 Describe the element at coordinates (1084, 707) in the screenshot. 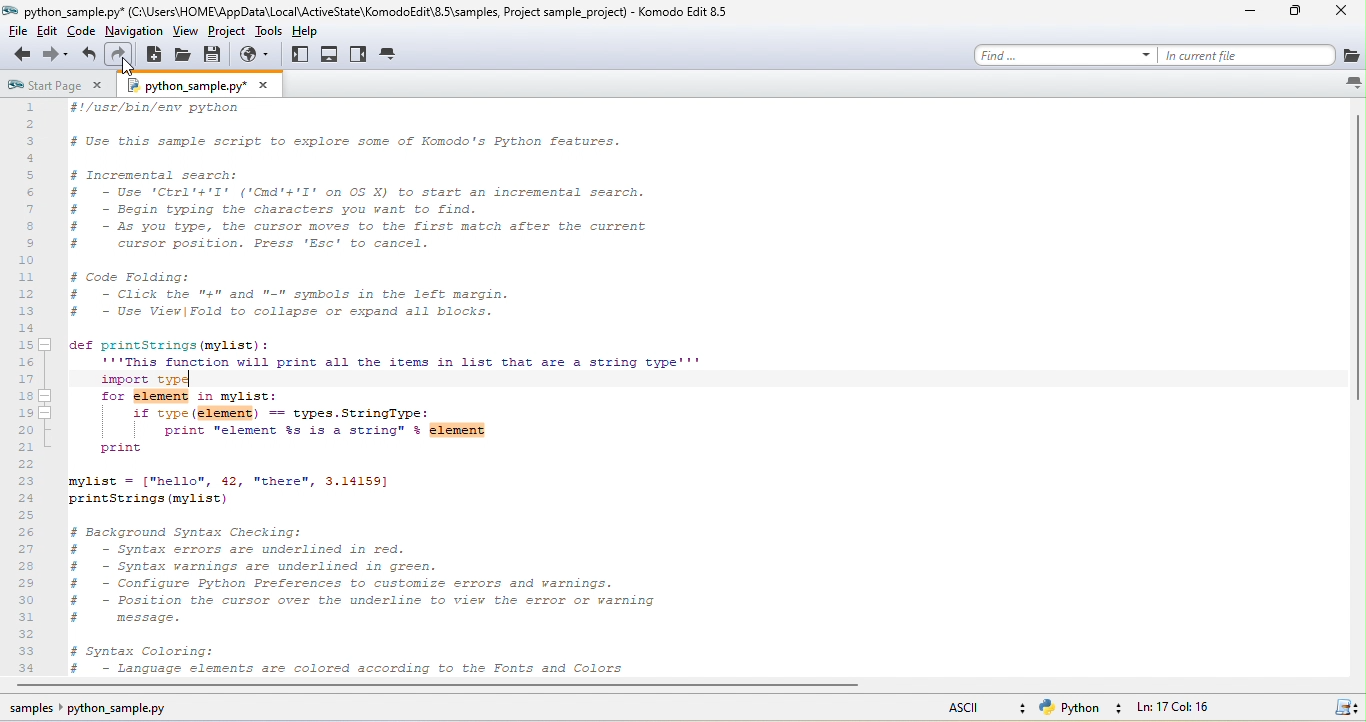

I see `python` at that location.